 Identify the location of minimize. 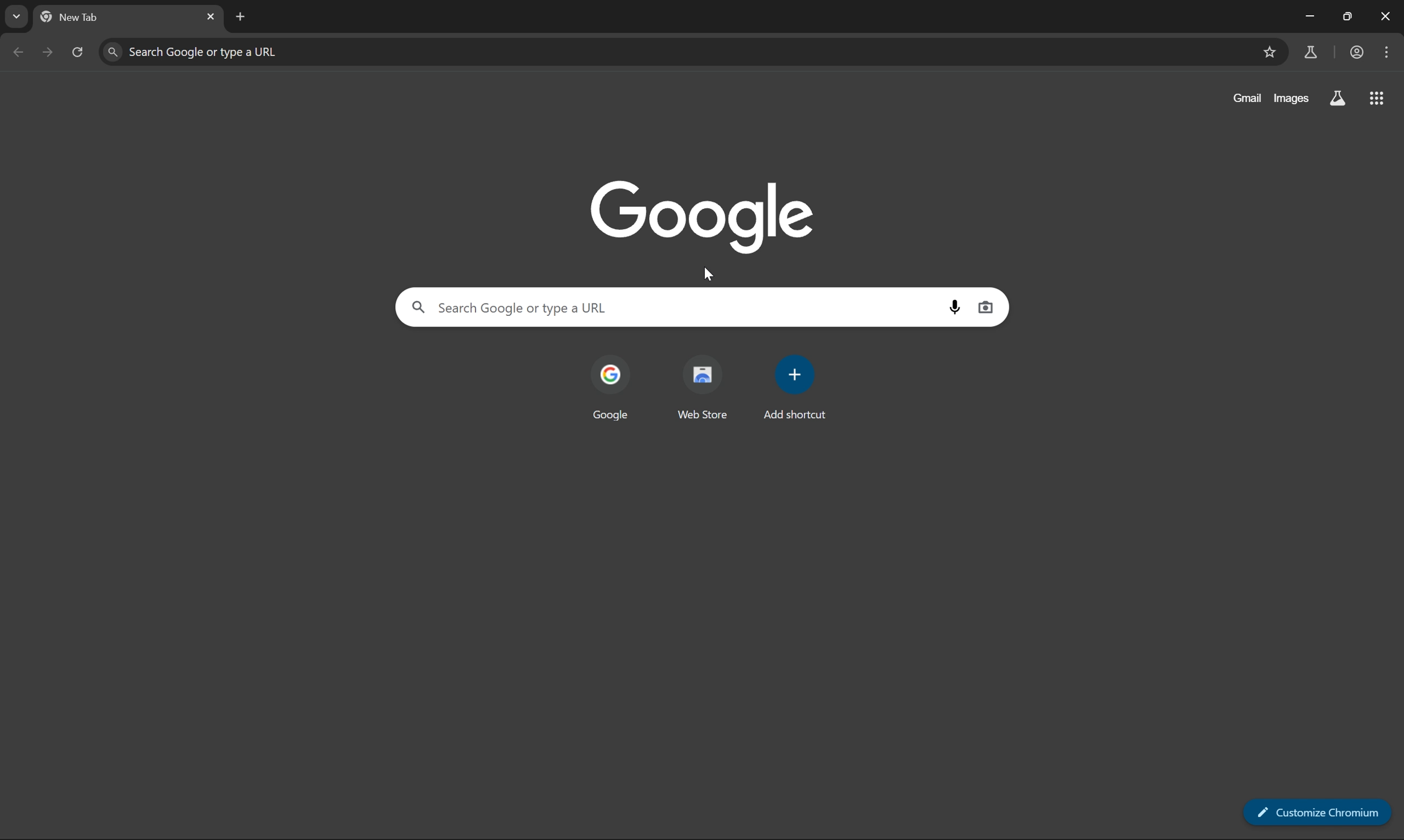
(1308, 16).